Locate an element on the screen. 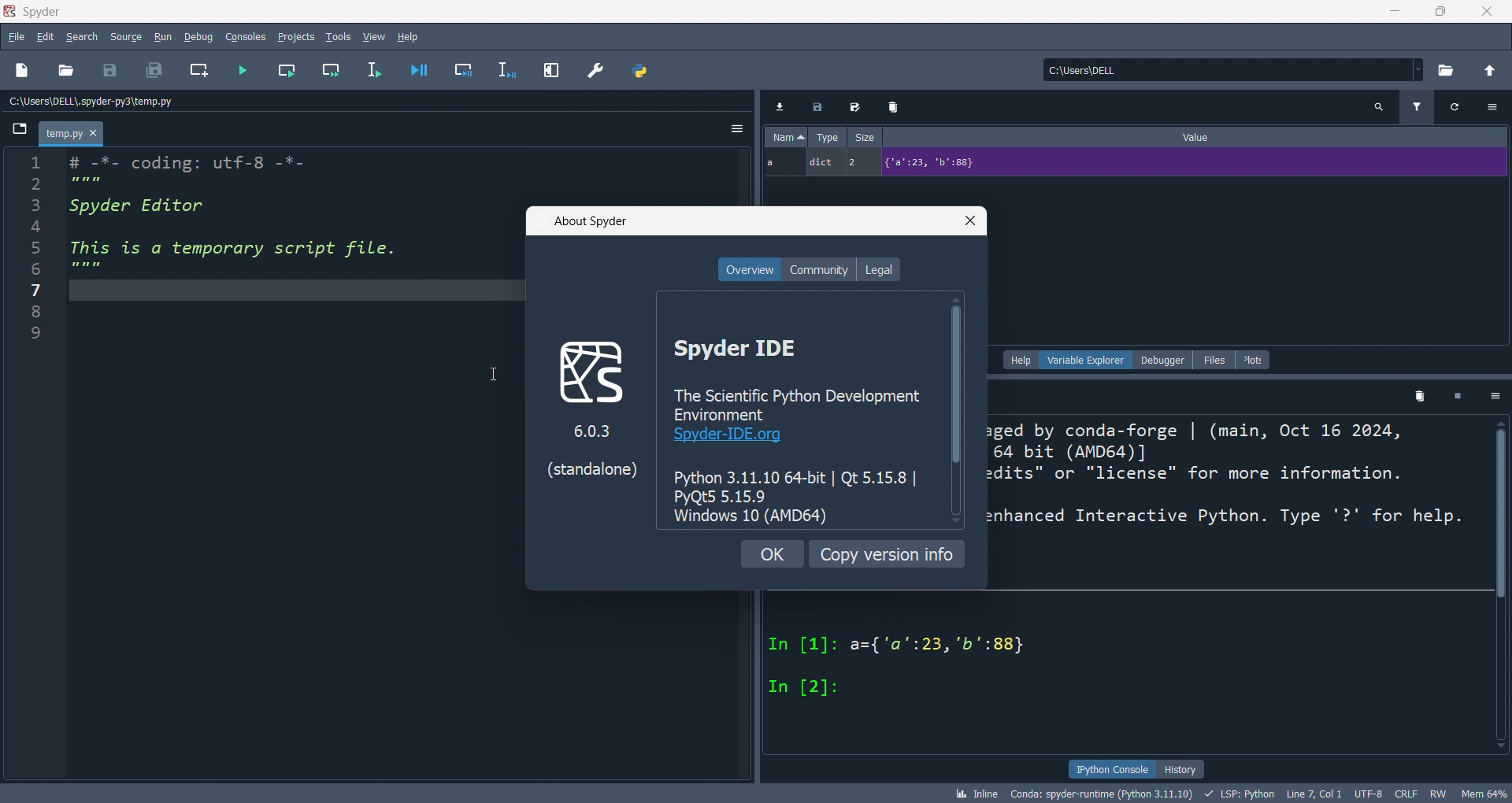  Vertical scroll bar is located at coordinates (1501, 584).